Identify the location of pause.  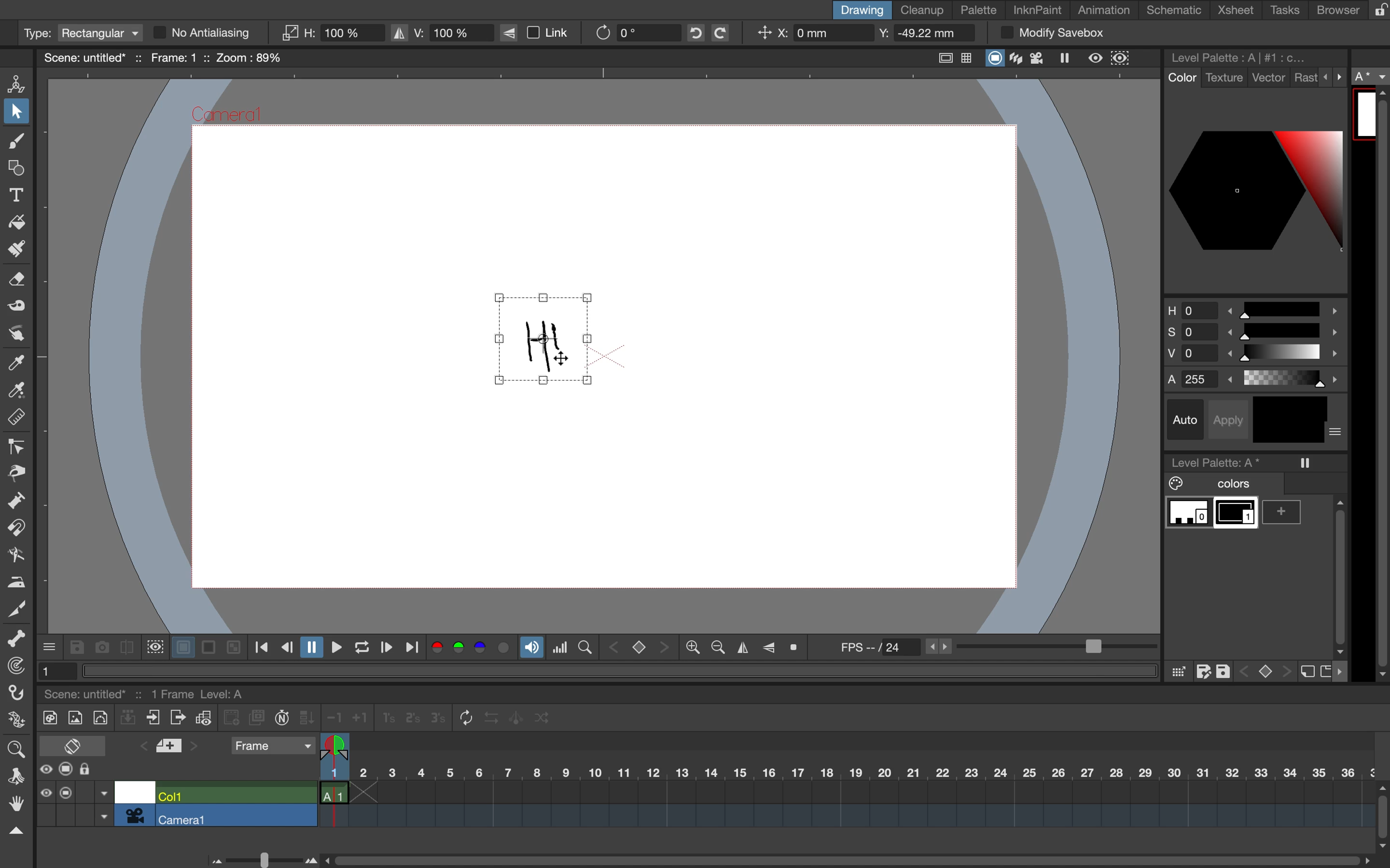
(310, 648).